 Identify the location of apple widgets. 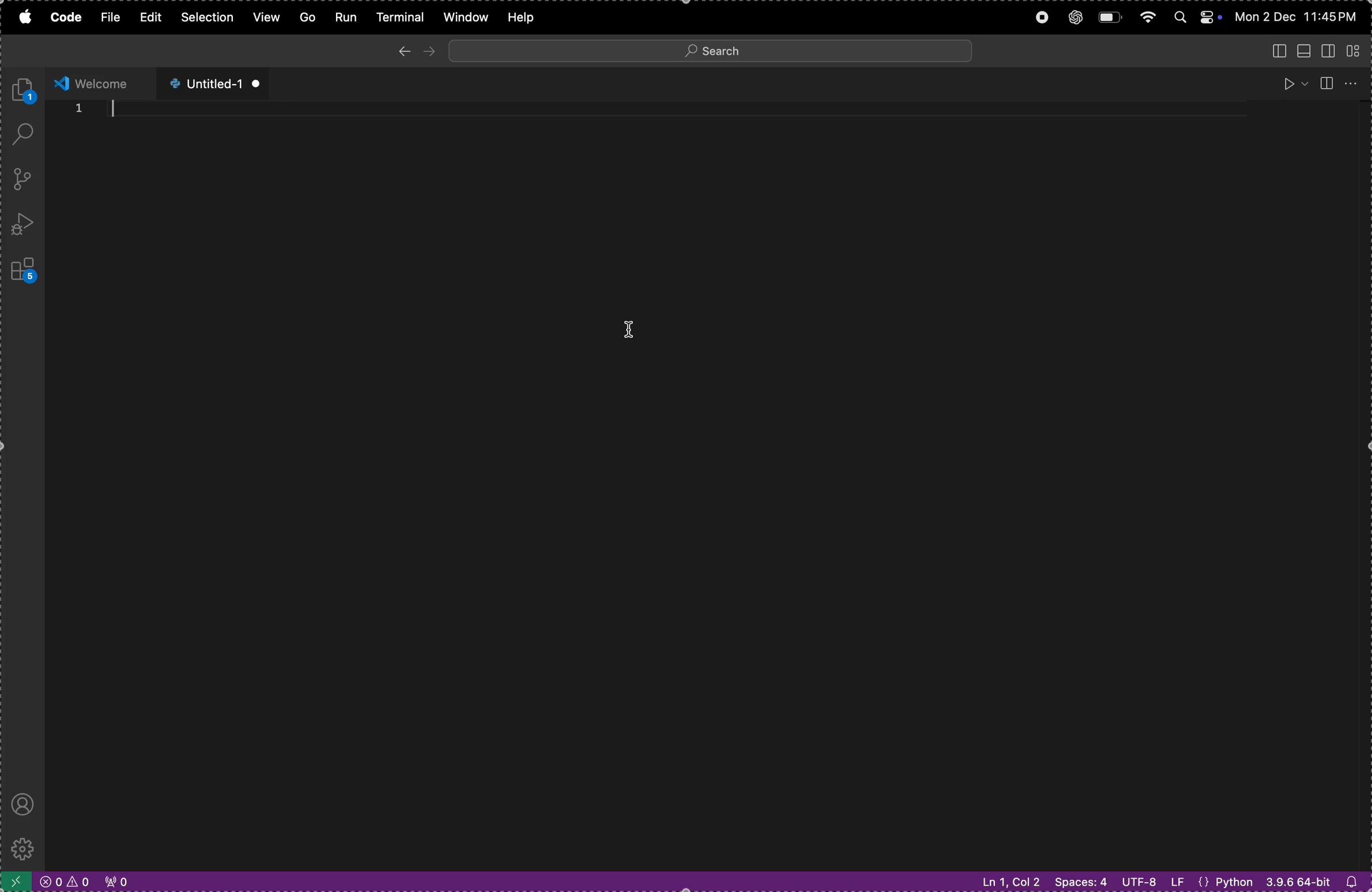
(1194, 16).